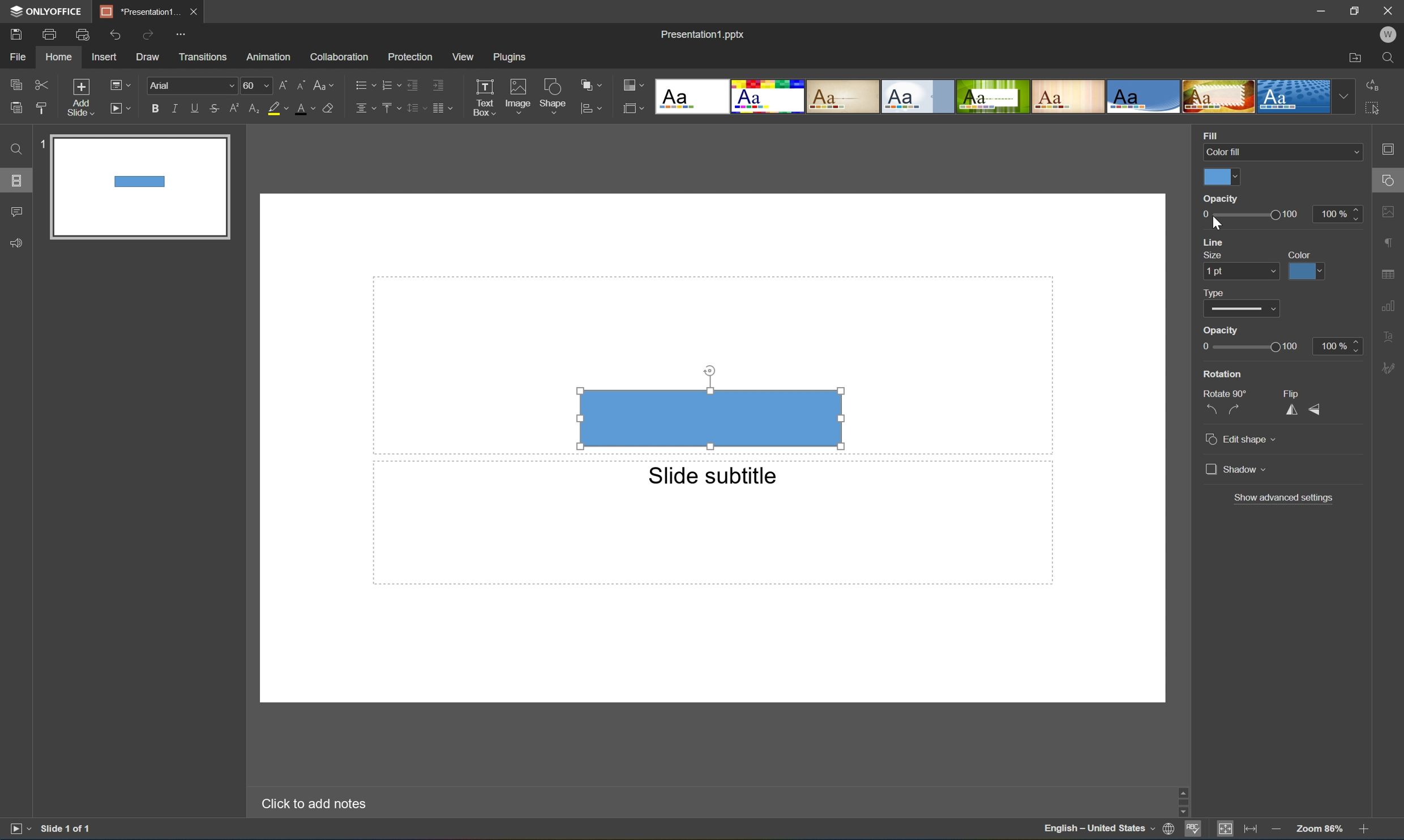  I want to click on Color fill, so click(1279, 151).